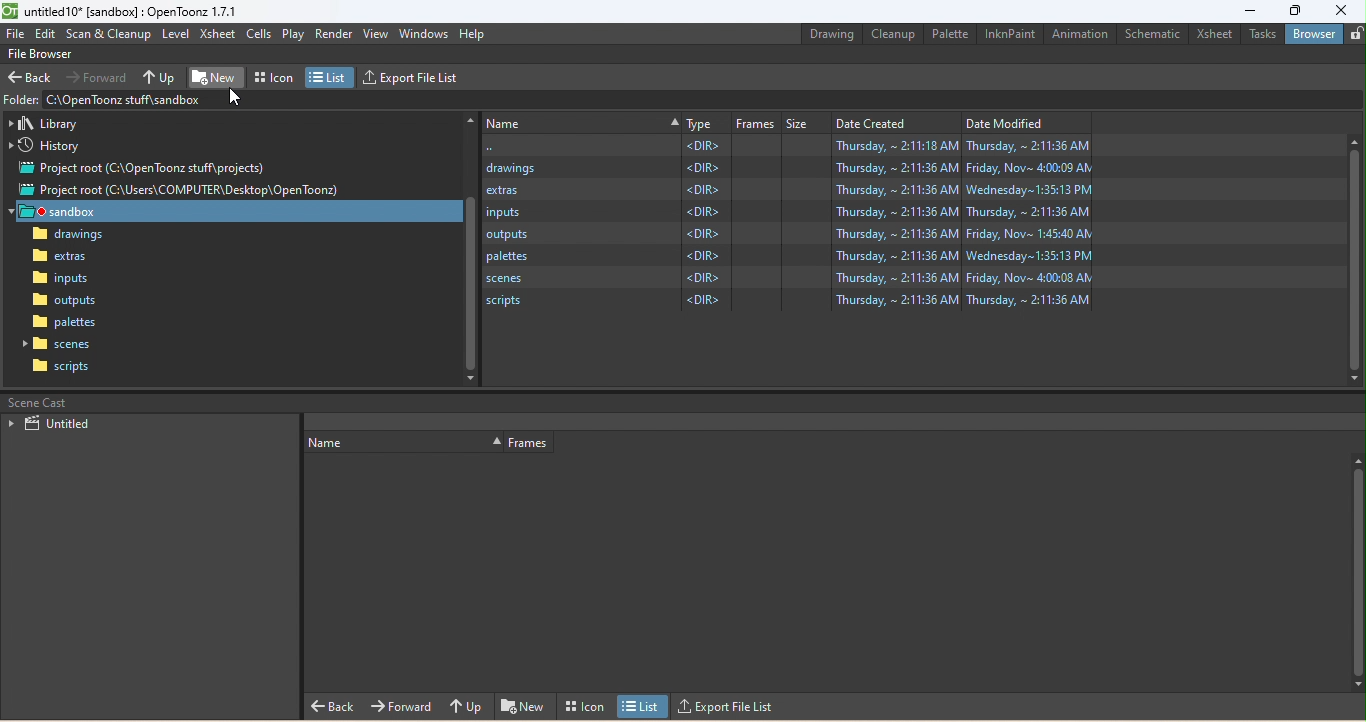 Image resolution: width=1366 pixels, height=722 pixels. Describe the element at coordinates (1263, 32) in the screenshot. I see `Tasks` at that location.